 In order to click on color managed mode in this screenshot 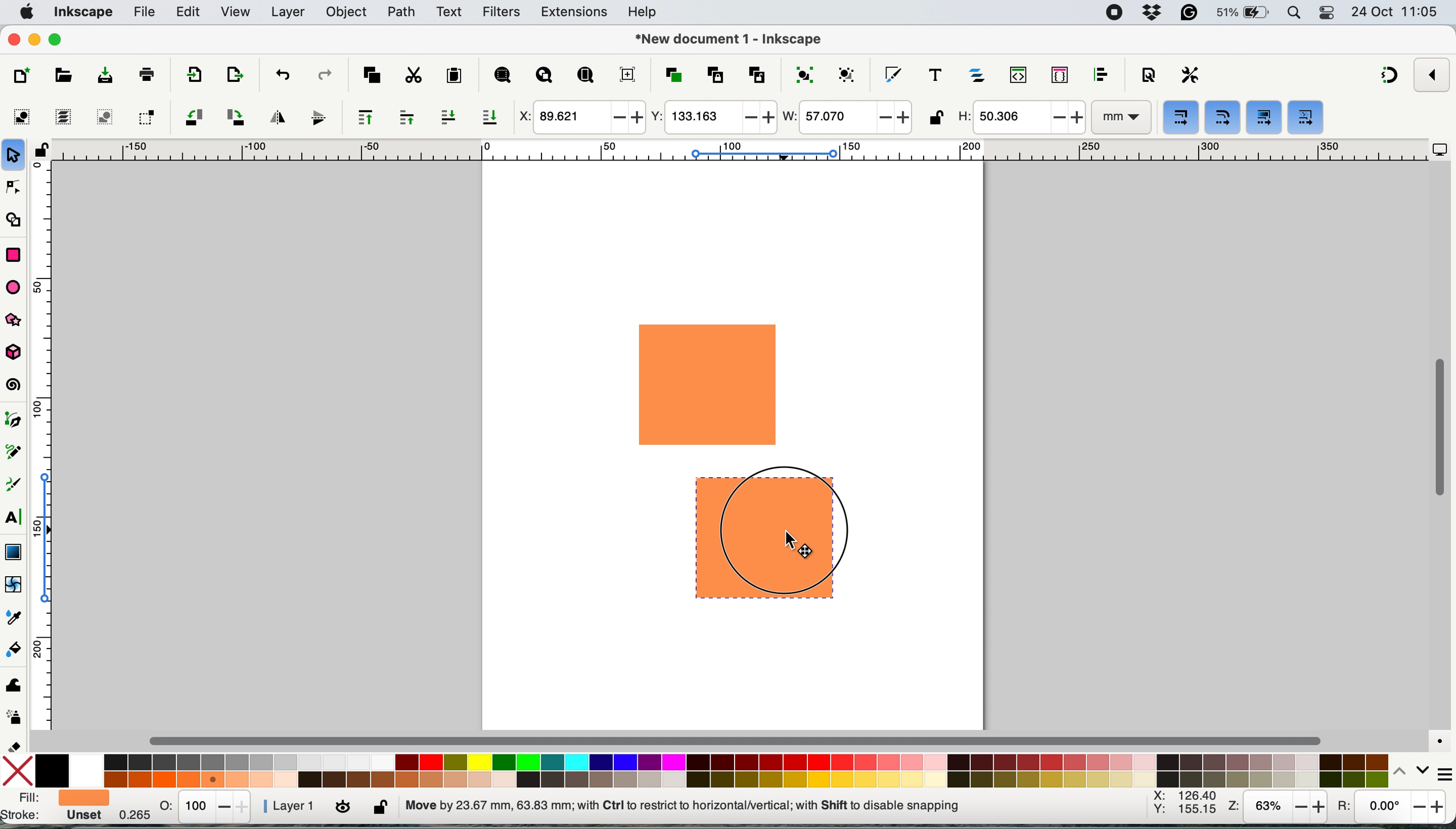, I will do `click(1436, 737)`.